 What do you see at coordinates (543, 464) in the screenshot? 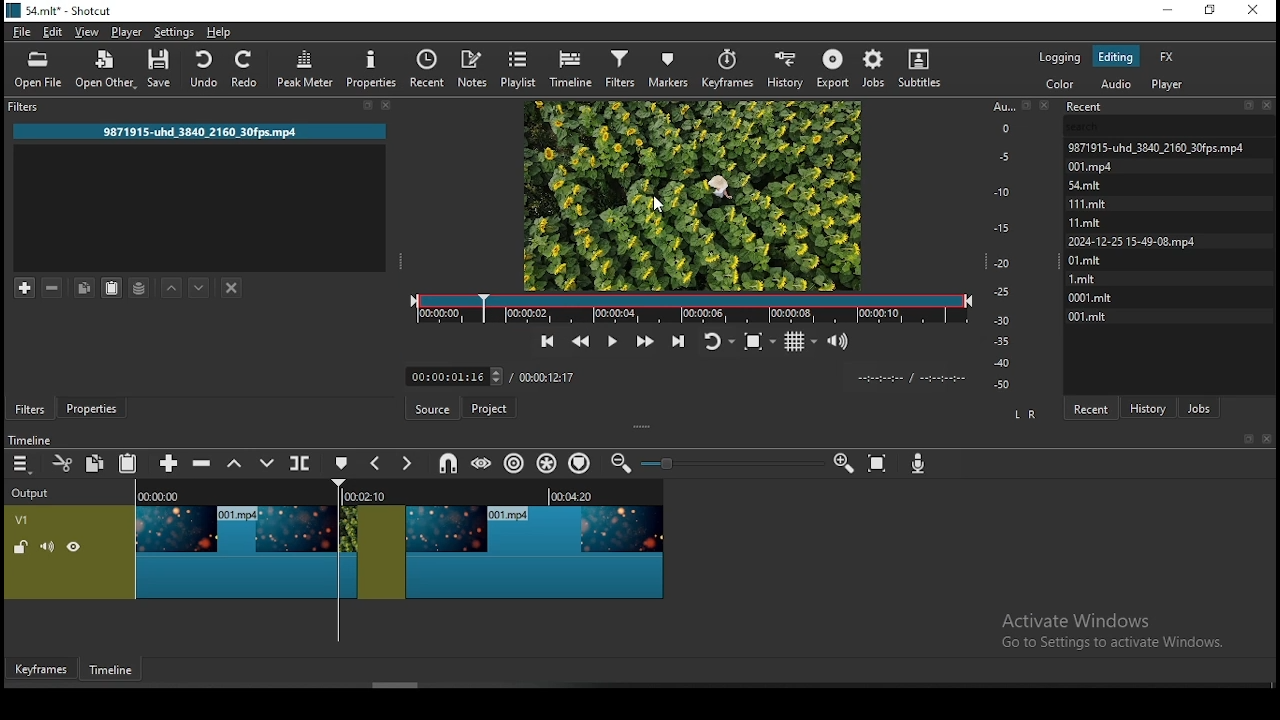
I see `ripple all tracks` at bounding box center [543, 464].